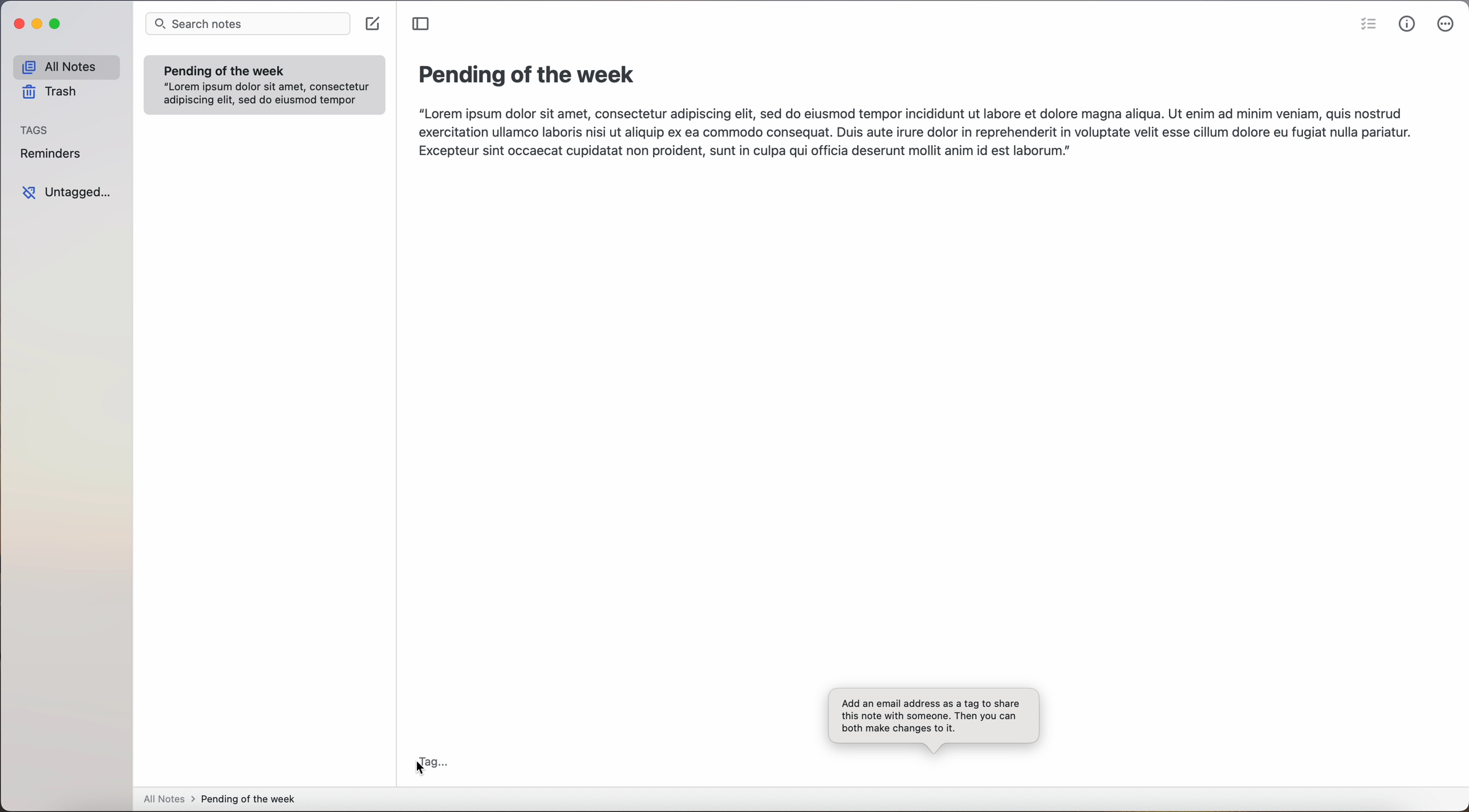  I want to click on Add an email address as a tag to share
this note with someone. Then you can
both make changes to it., so click(933, 719).